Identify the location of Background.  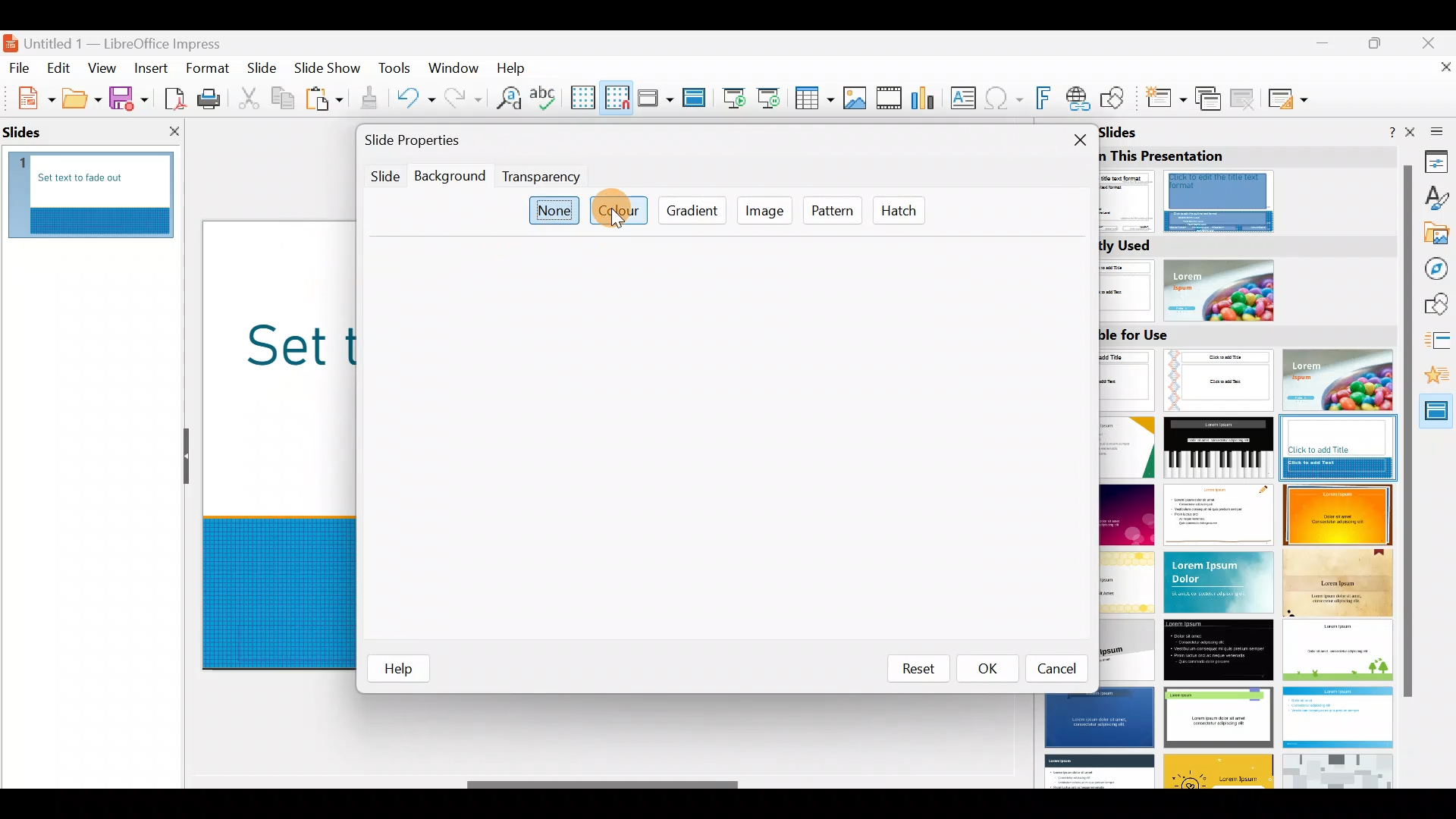
(451, 177).